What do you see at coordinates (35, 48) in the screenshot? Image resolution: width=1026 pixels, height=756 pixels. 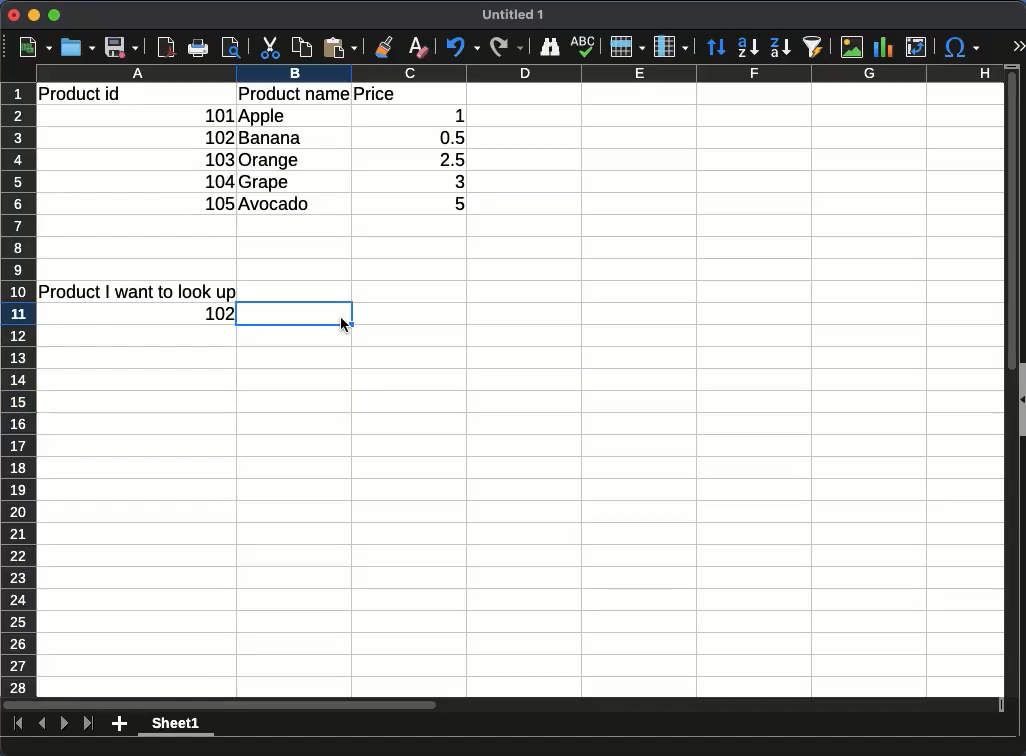 I see `new` at bounding box center [35, 48].